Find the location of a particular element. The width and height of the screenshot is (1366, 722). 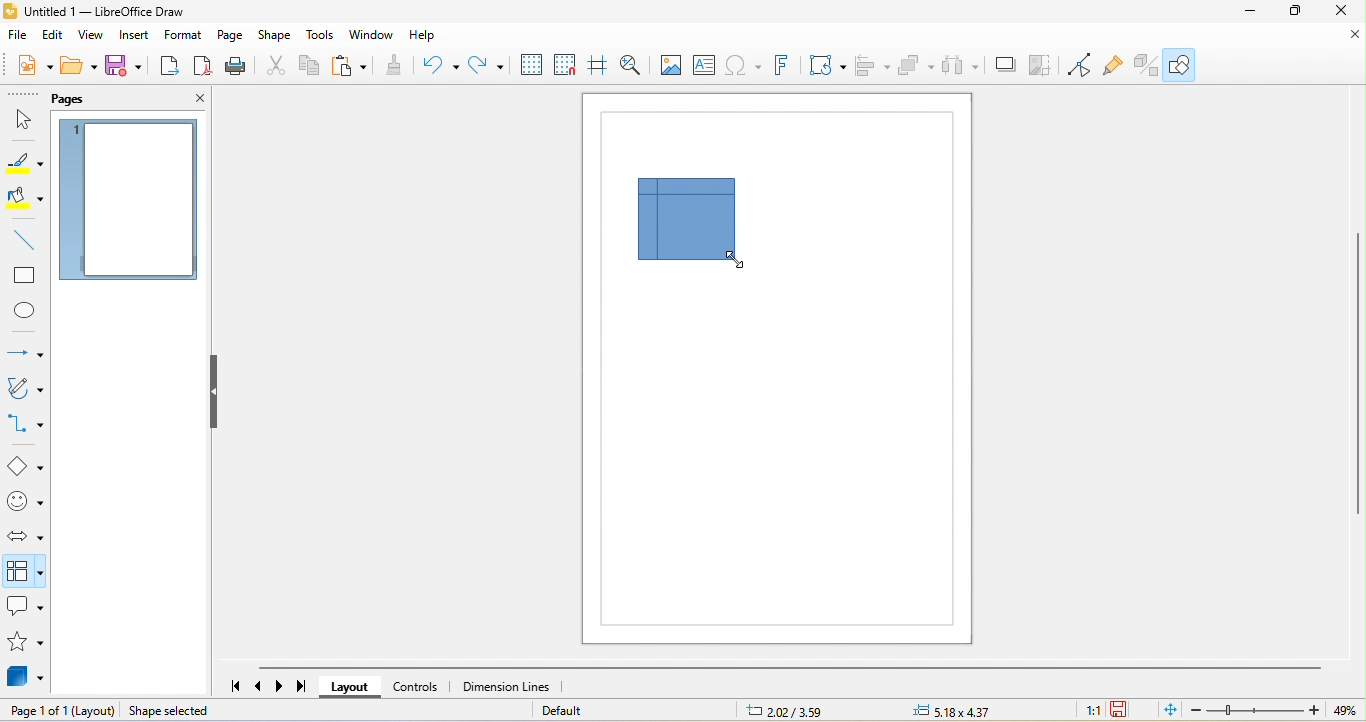

undo is located at coordinates (441, 66).